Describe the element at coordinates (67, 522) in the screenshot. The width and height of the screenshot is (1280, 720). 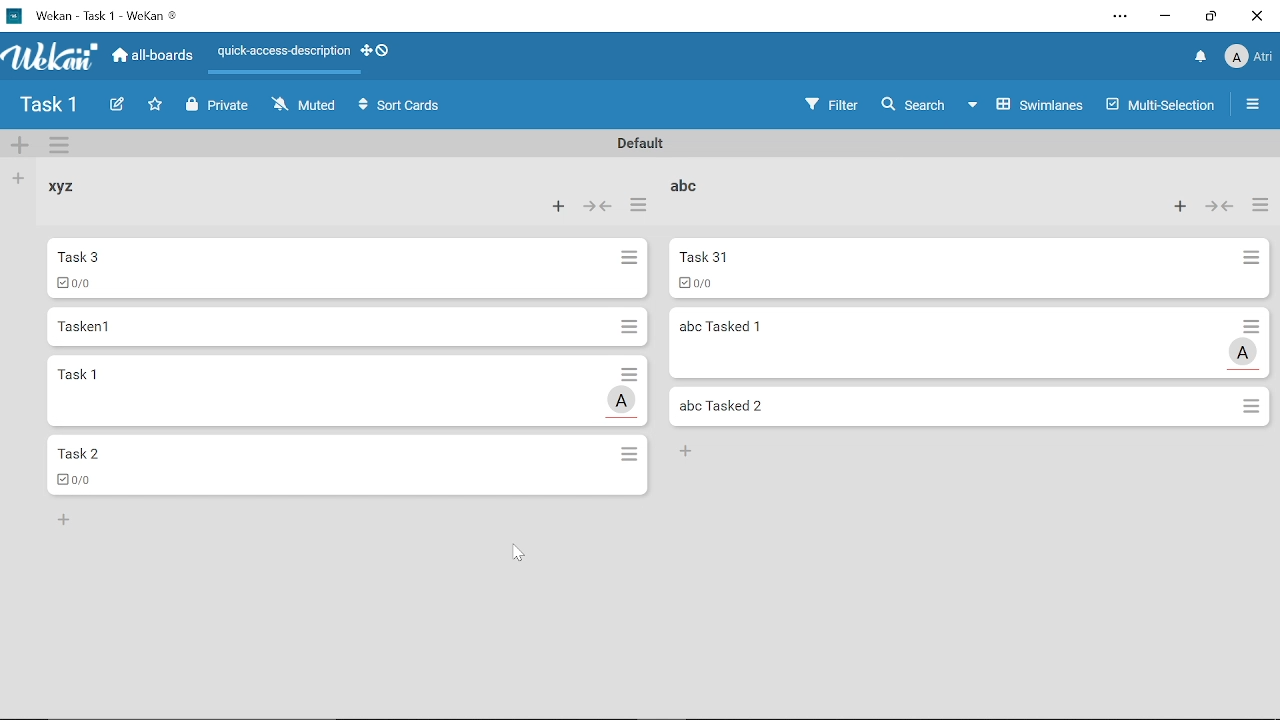
I see `add` at that location.